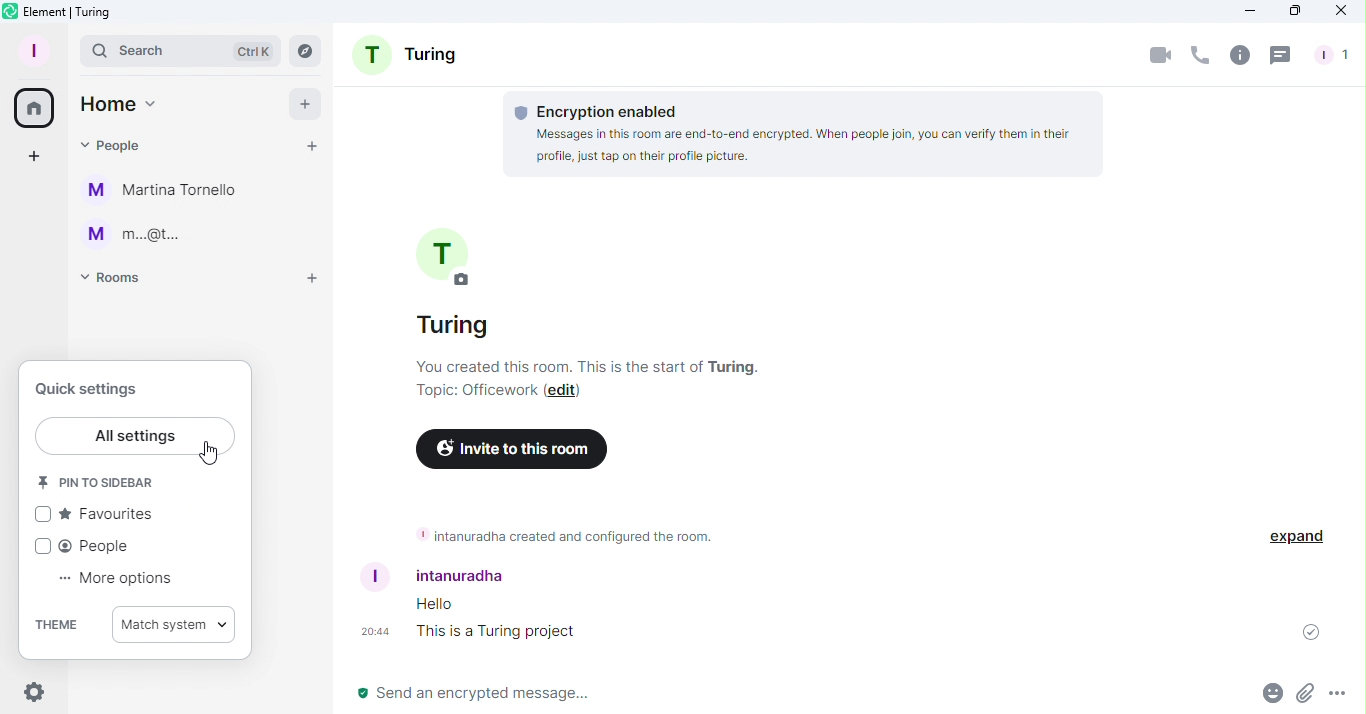  I want to click on People, so click(108, 144).